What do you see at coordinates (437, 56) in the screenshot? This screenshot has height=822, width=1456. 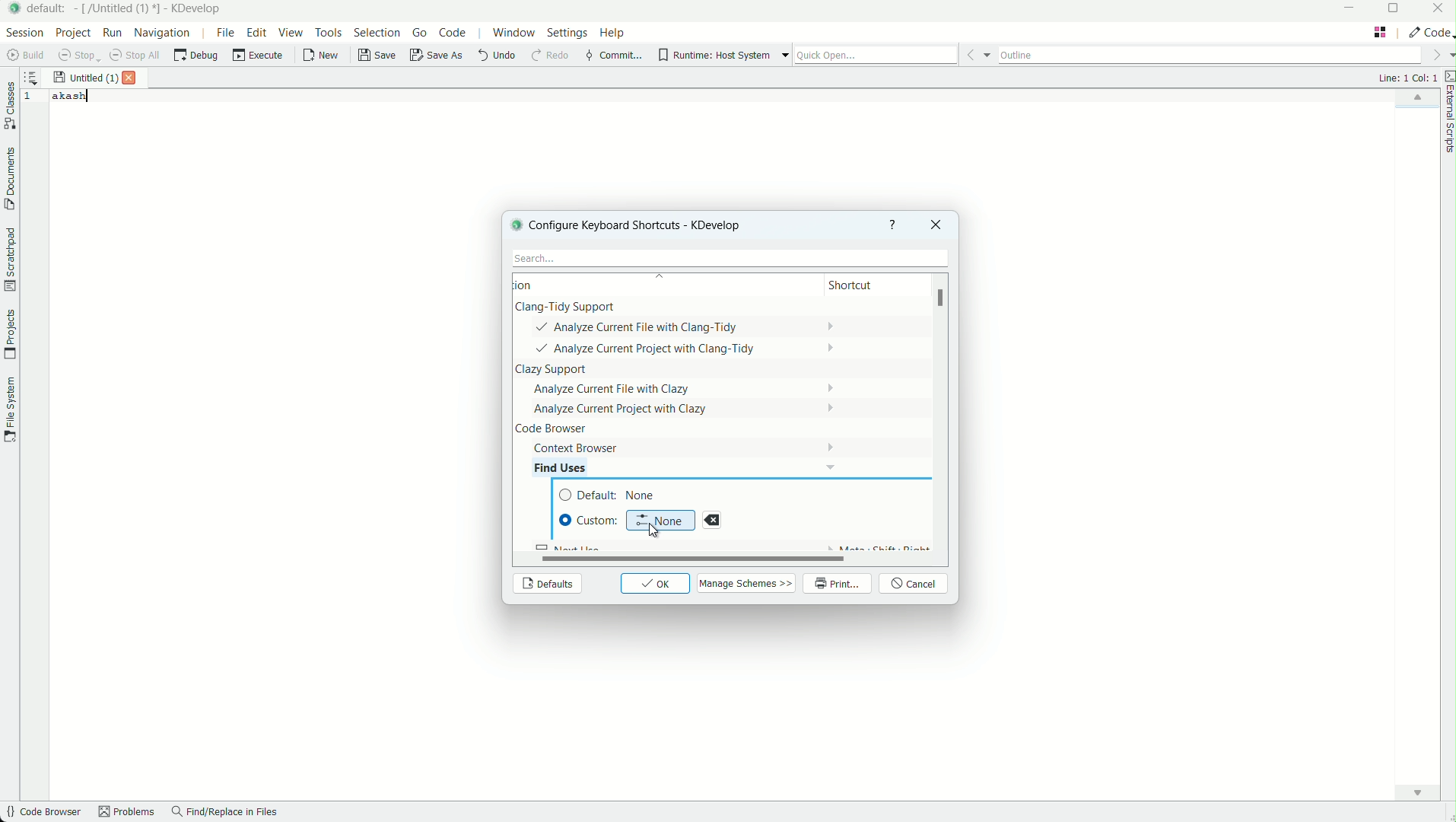 I see `save as` at bounding box center [437, 56].